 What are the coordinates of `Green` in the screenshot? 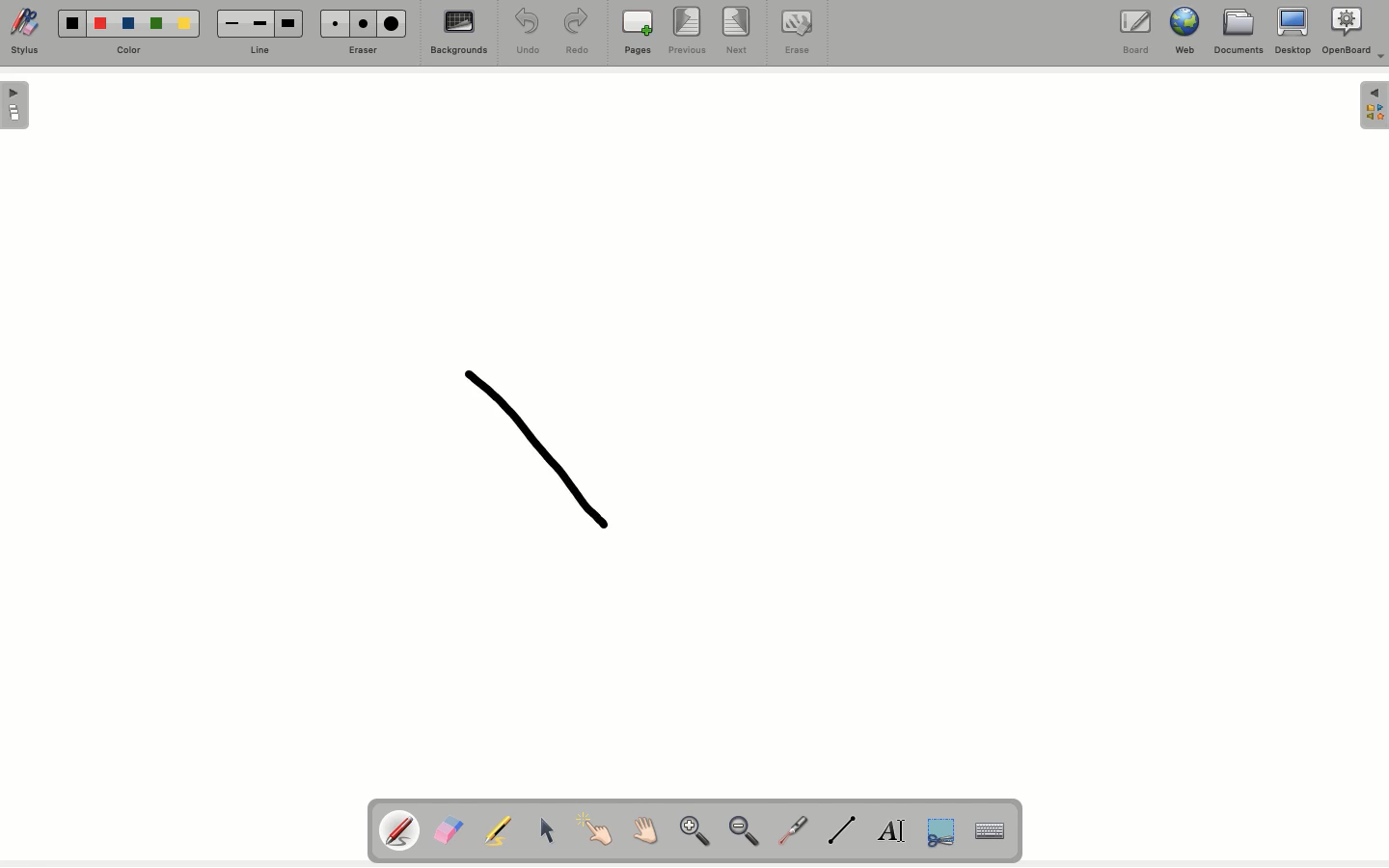 It's located at (160, 22).